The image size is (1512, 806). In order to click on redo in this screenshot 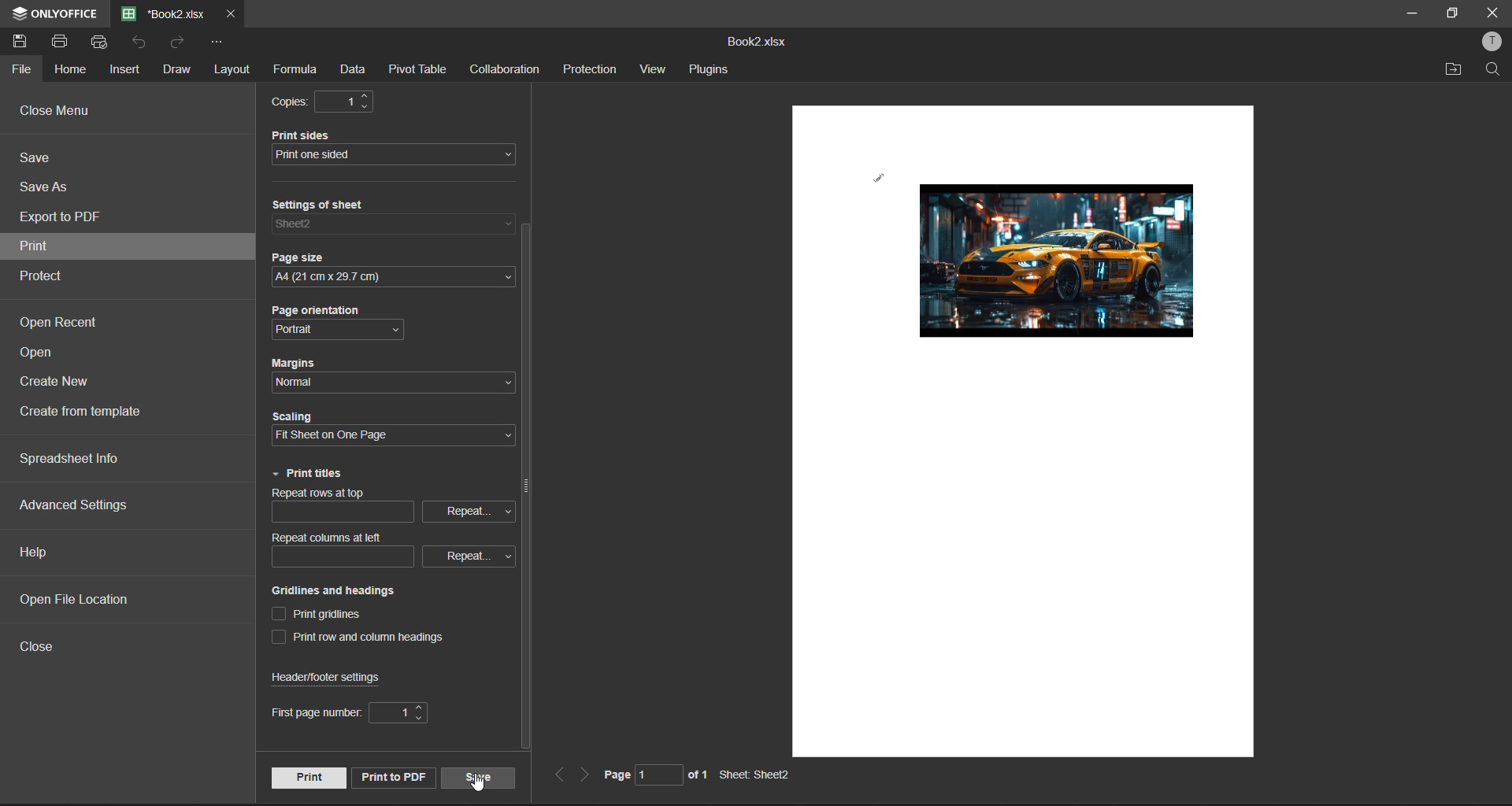, I will do `click(179, 43)`.